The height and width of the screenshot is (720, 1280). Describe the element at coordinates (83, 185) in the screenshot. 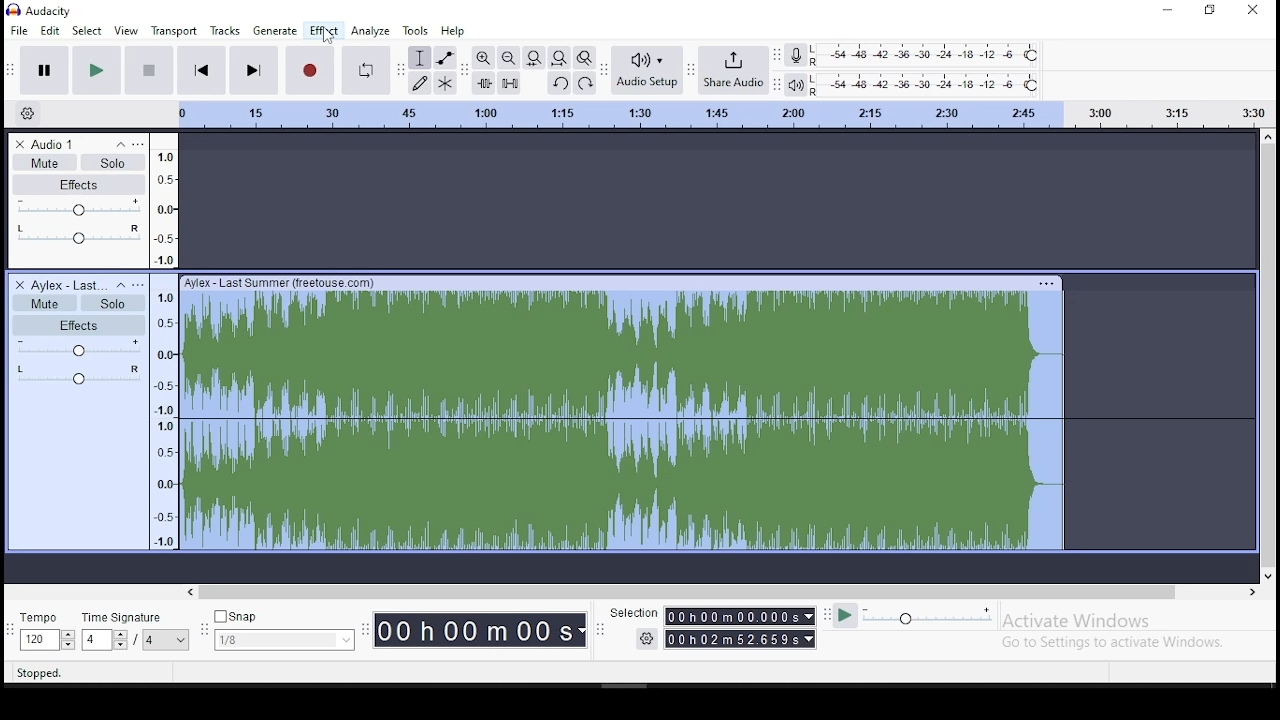

I see `effects` at that location.